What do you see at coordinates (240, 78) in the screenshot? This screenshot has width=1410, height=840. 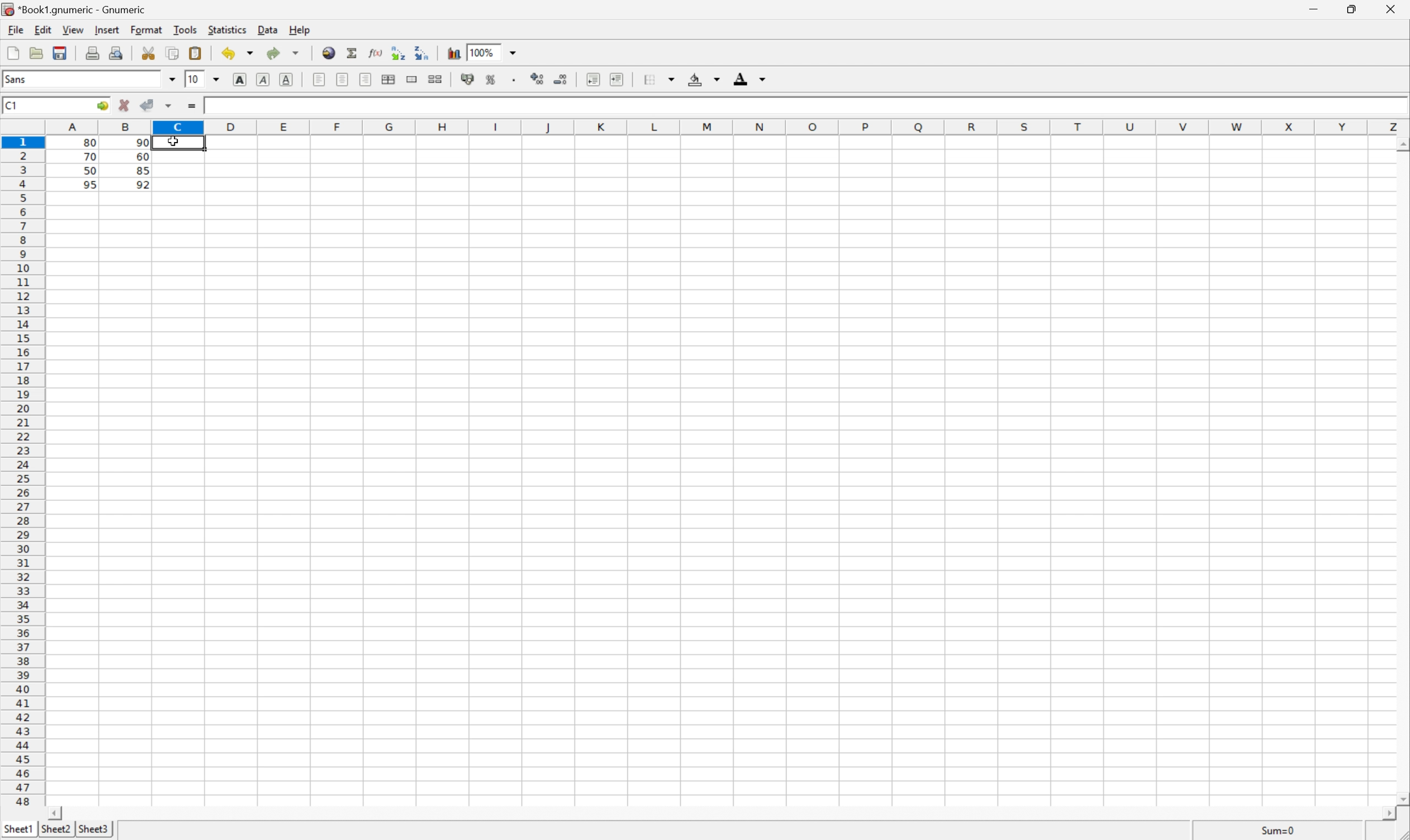 I see `Bold` at bounding box center [240, 78].